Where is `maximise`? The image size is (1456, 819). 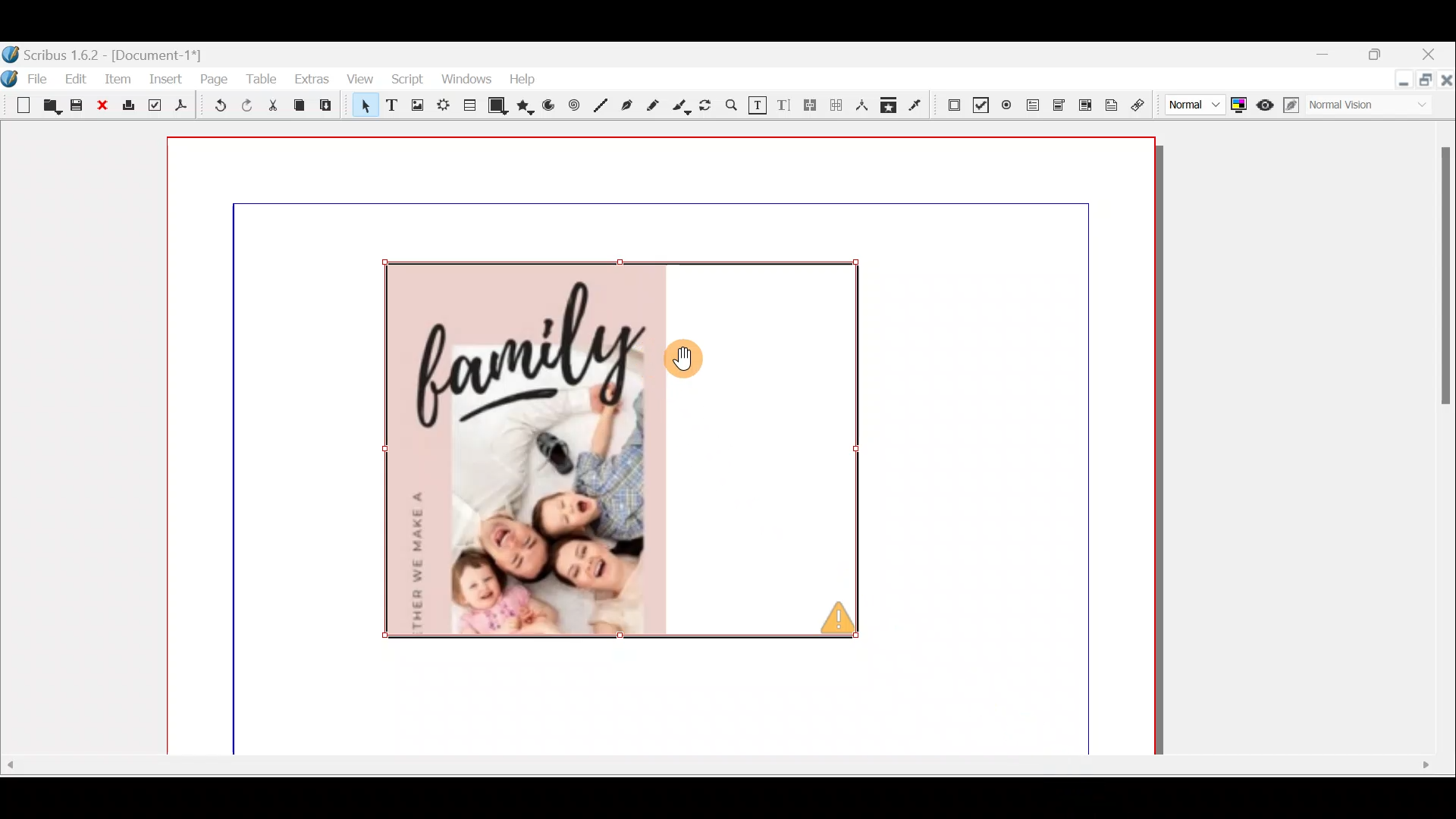
maximise is located at coordinates (1379, 57).